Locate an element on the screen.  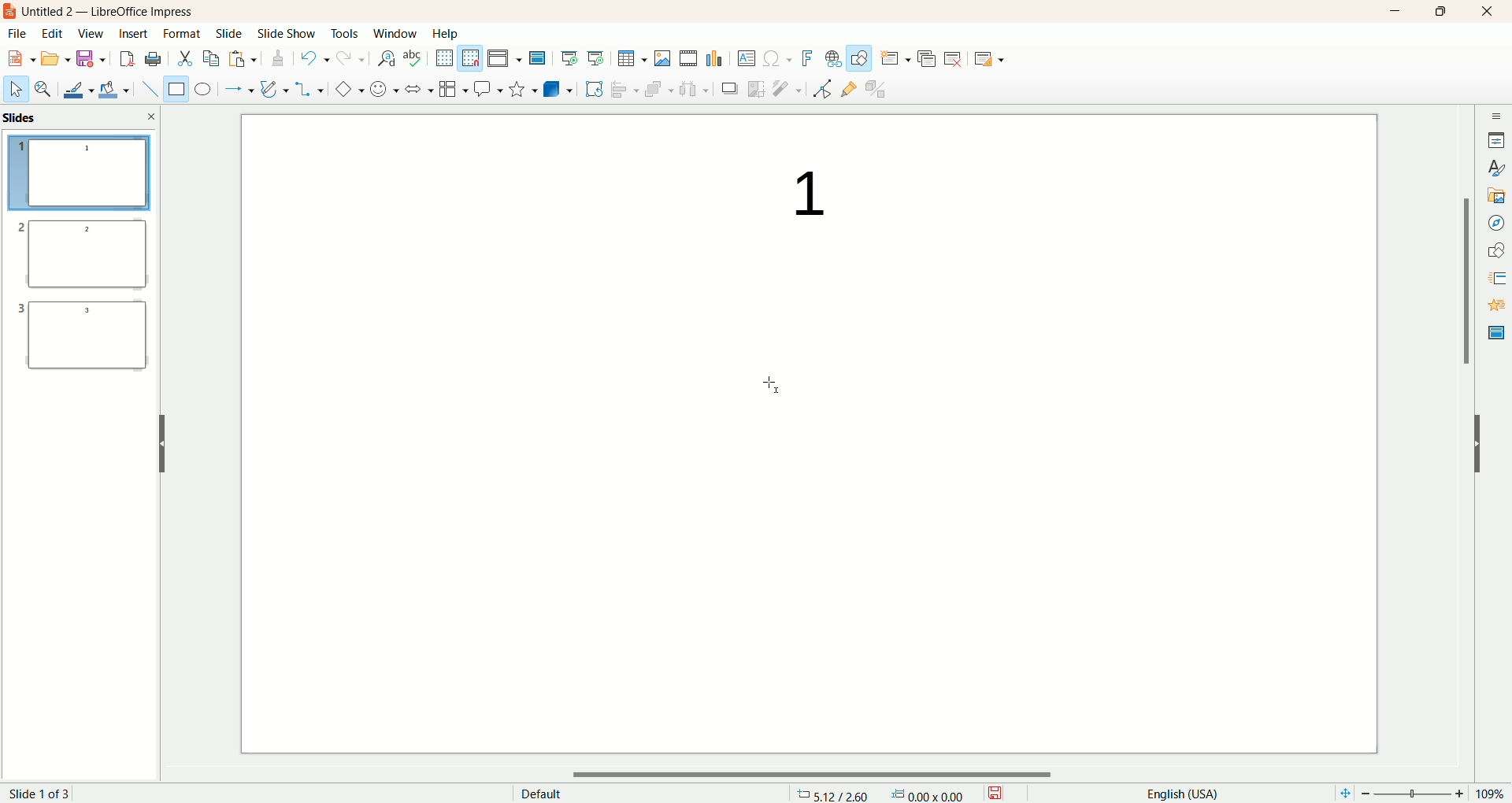
navigator is located at coordinates (1495, 223).